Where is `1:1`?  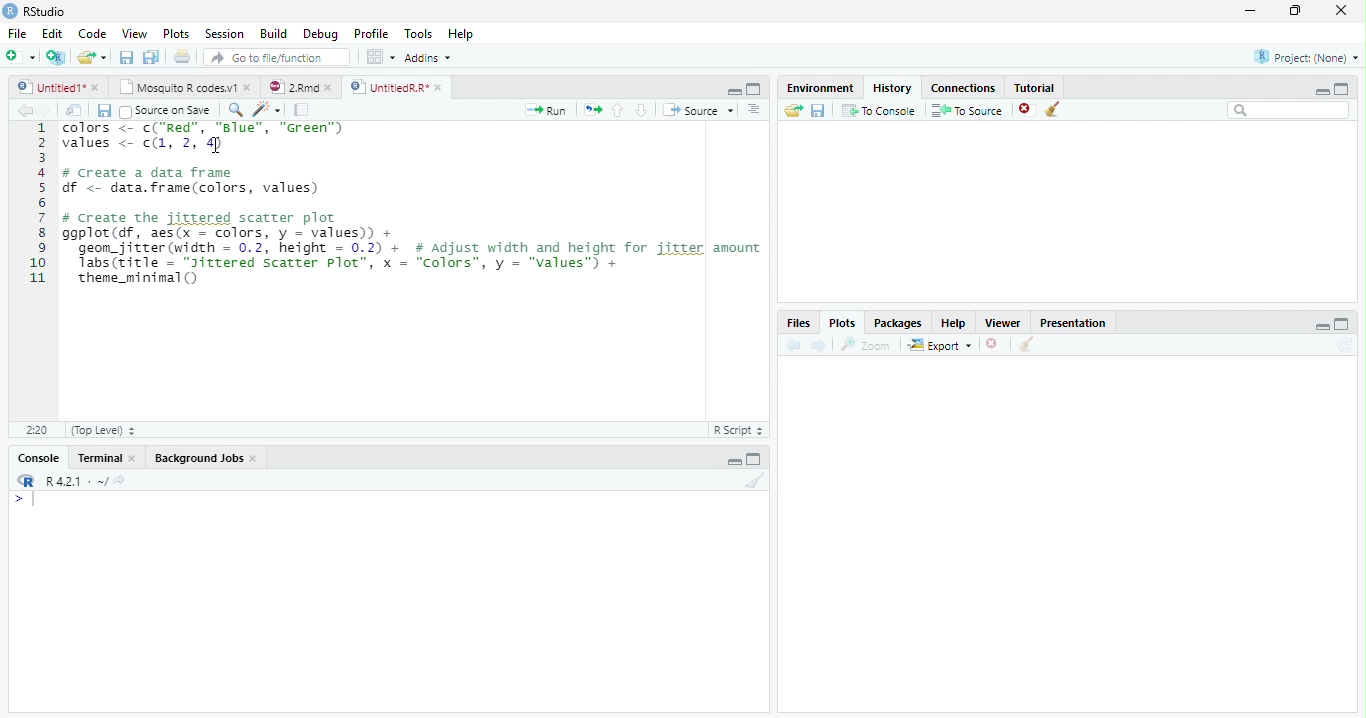 1:1 is located at coordinates (36, 430).